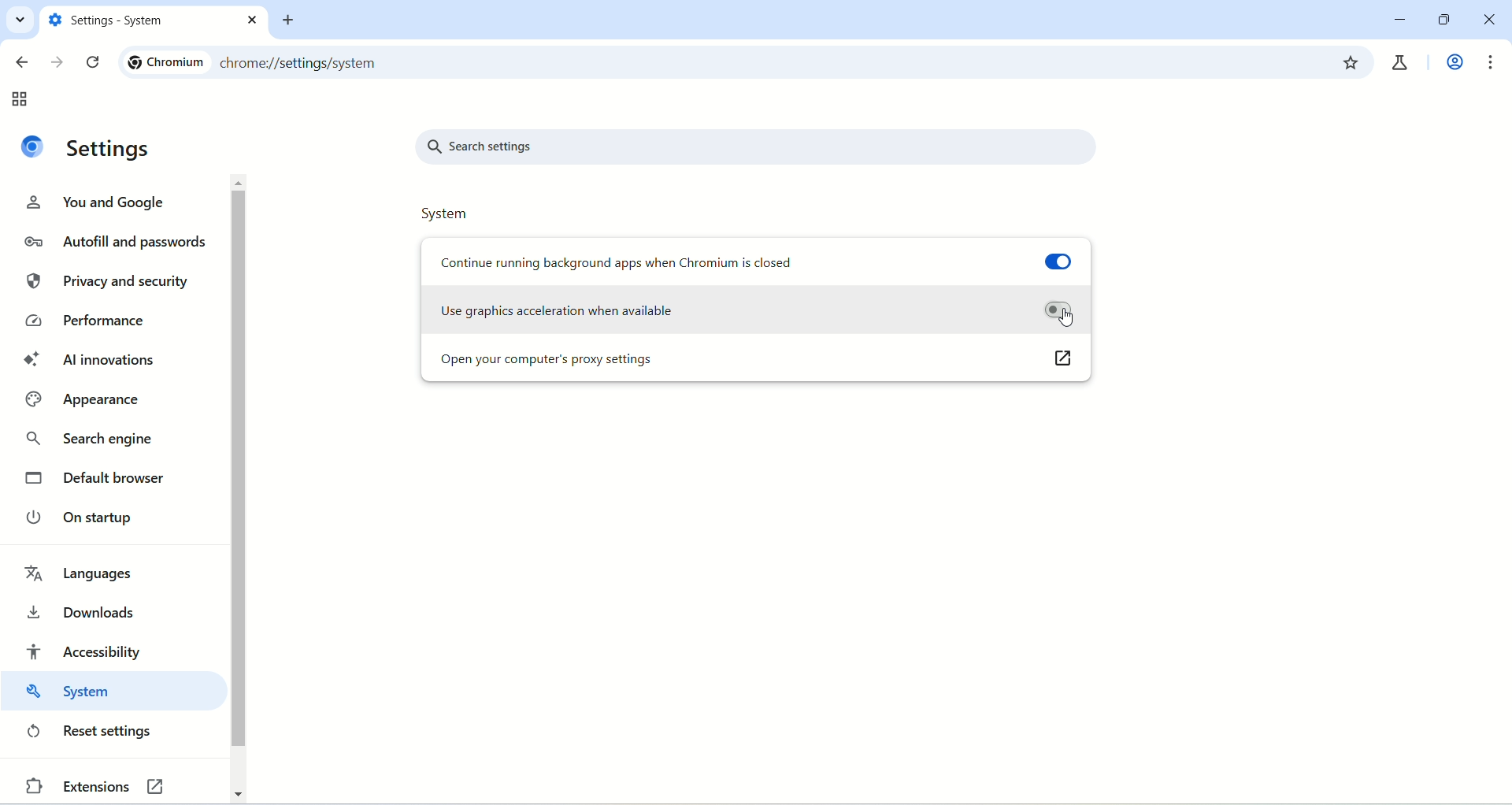  What do you see at coordinates (1058, 310) in the screenshot?
I see `toggle button` at bounding box center [1058, 310].